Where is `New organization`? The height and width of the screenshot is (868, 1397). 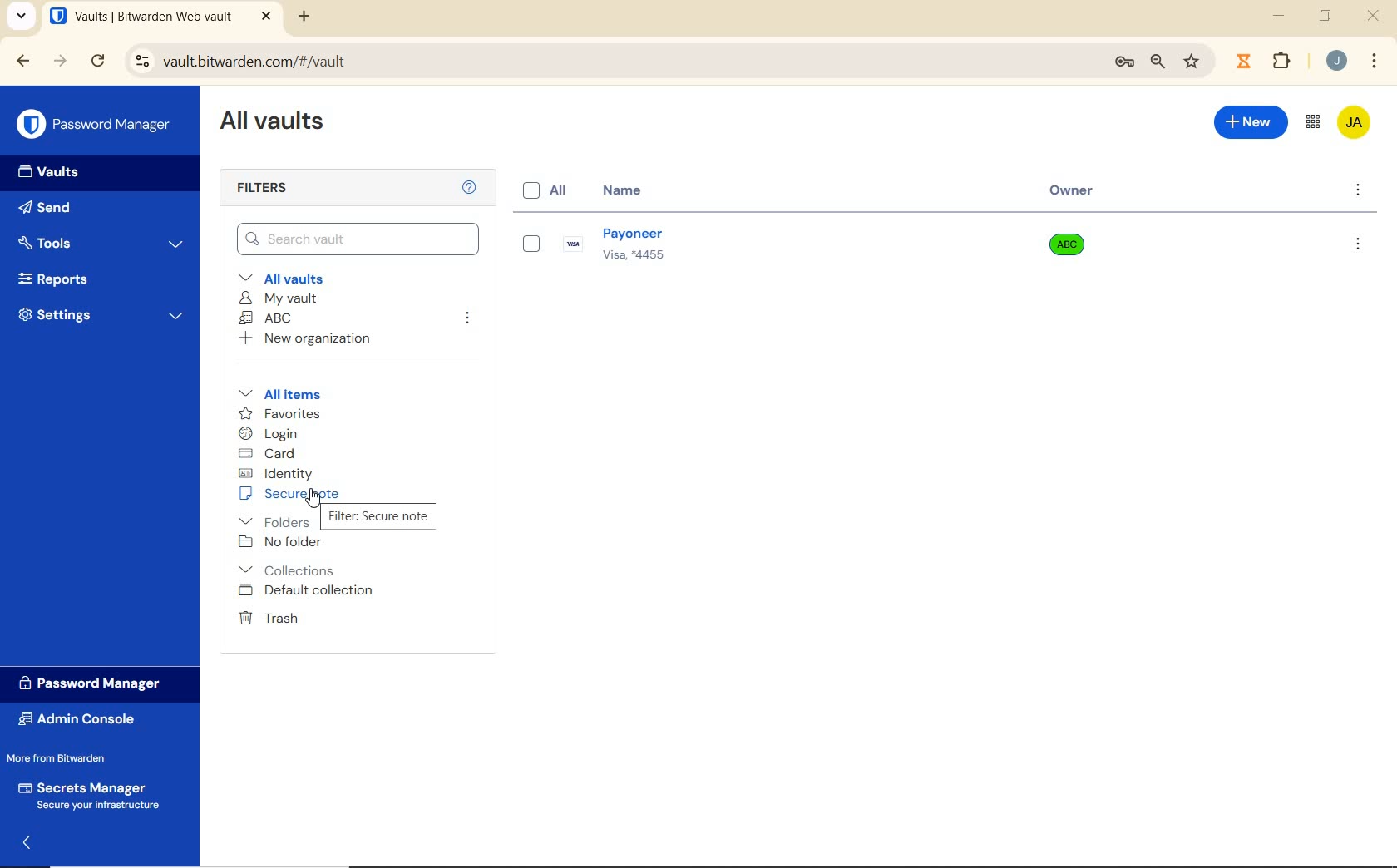
New organization is located at coordinates (306, 338).